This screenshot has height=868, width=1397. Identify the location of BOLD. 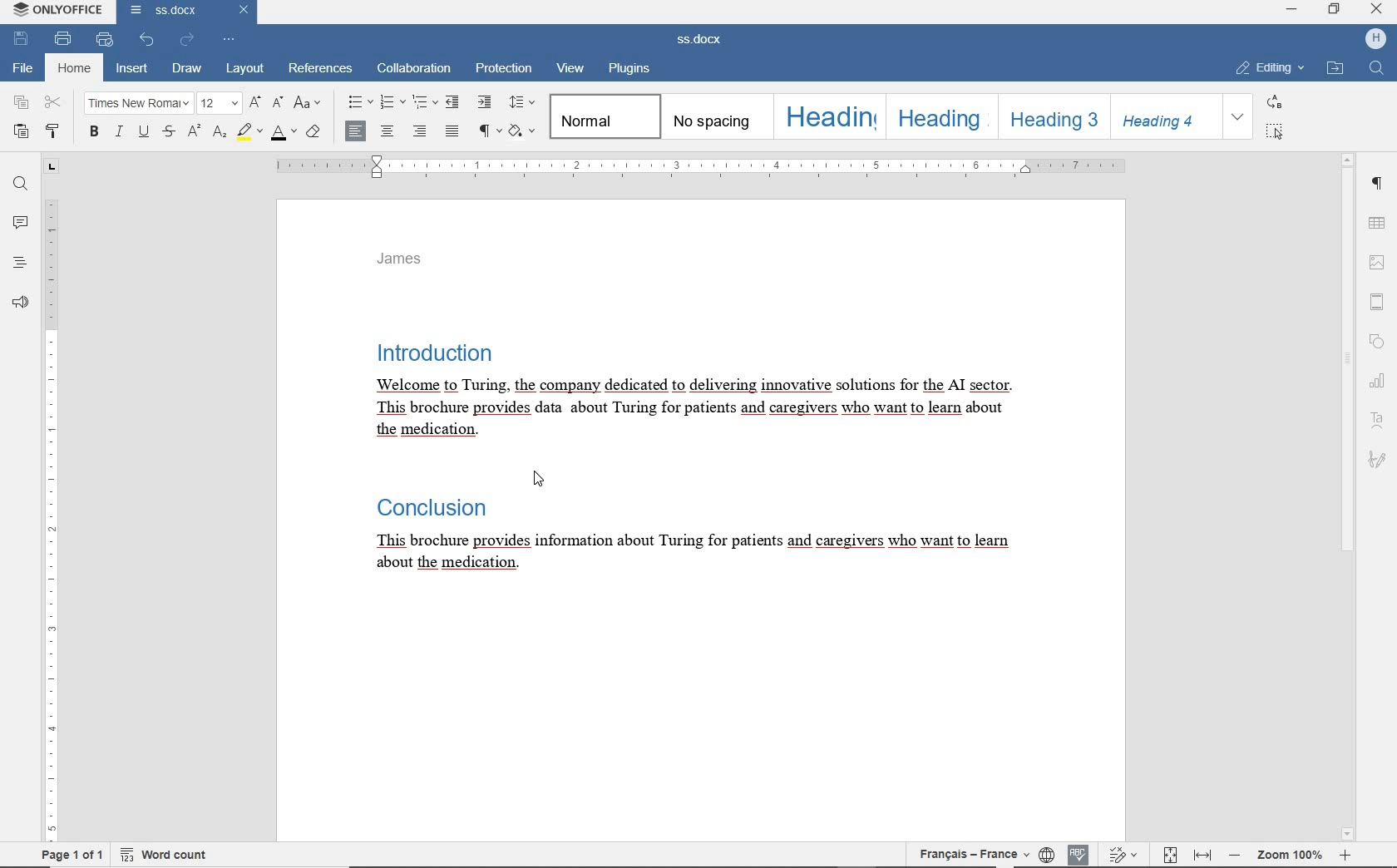
(91, 133).